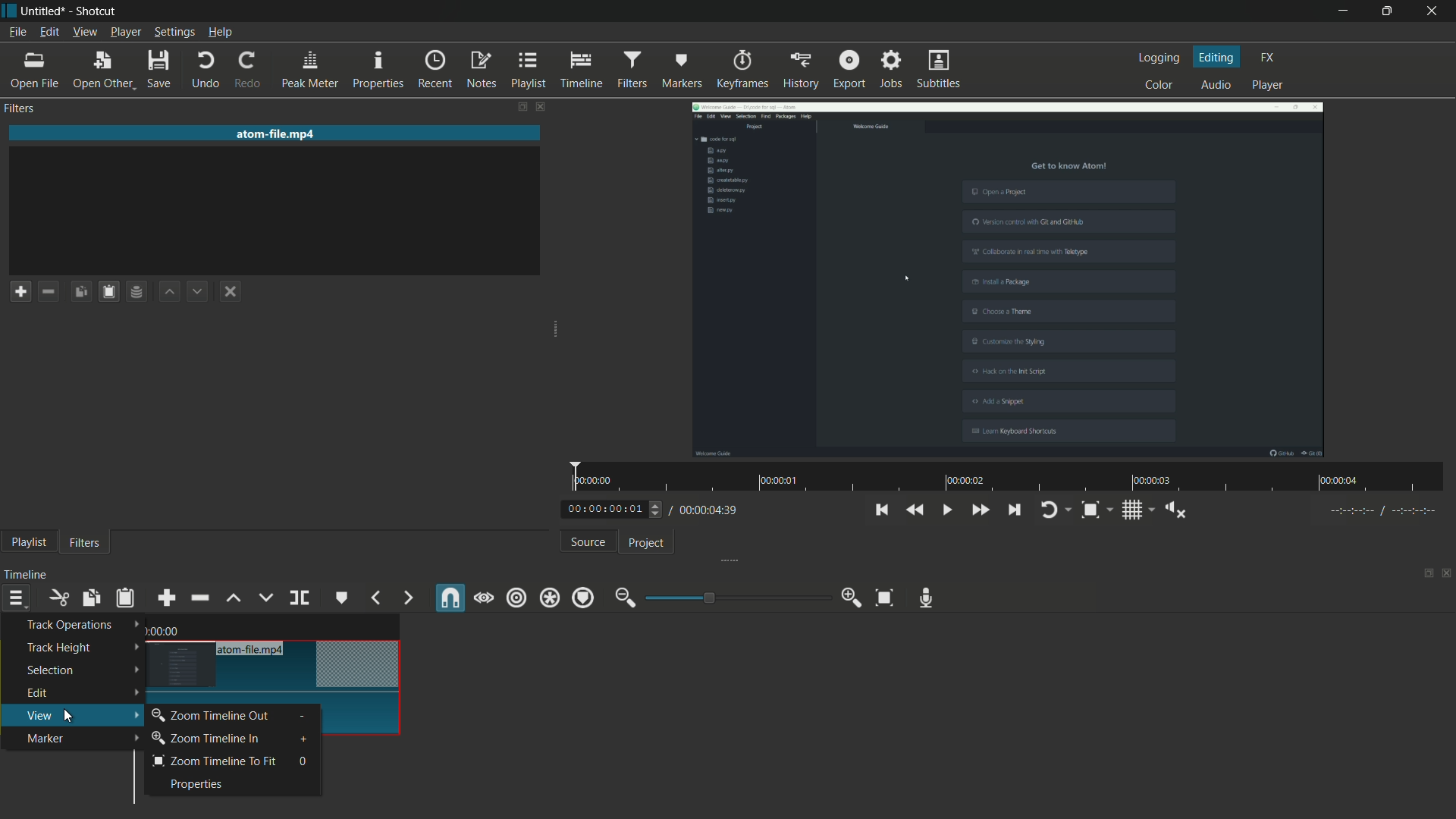  Describe the element at coordinates (231, 292) in the screenshot. I see `deselect the filter` at that location.